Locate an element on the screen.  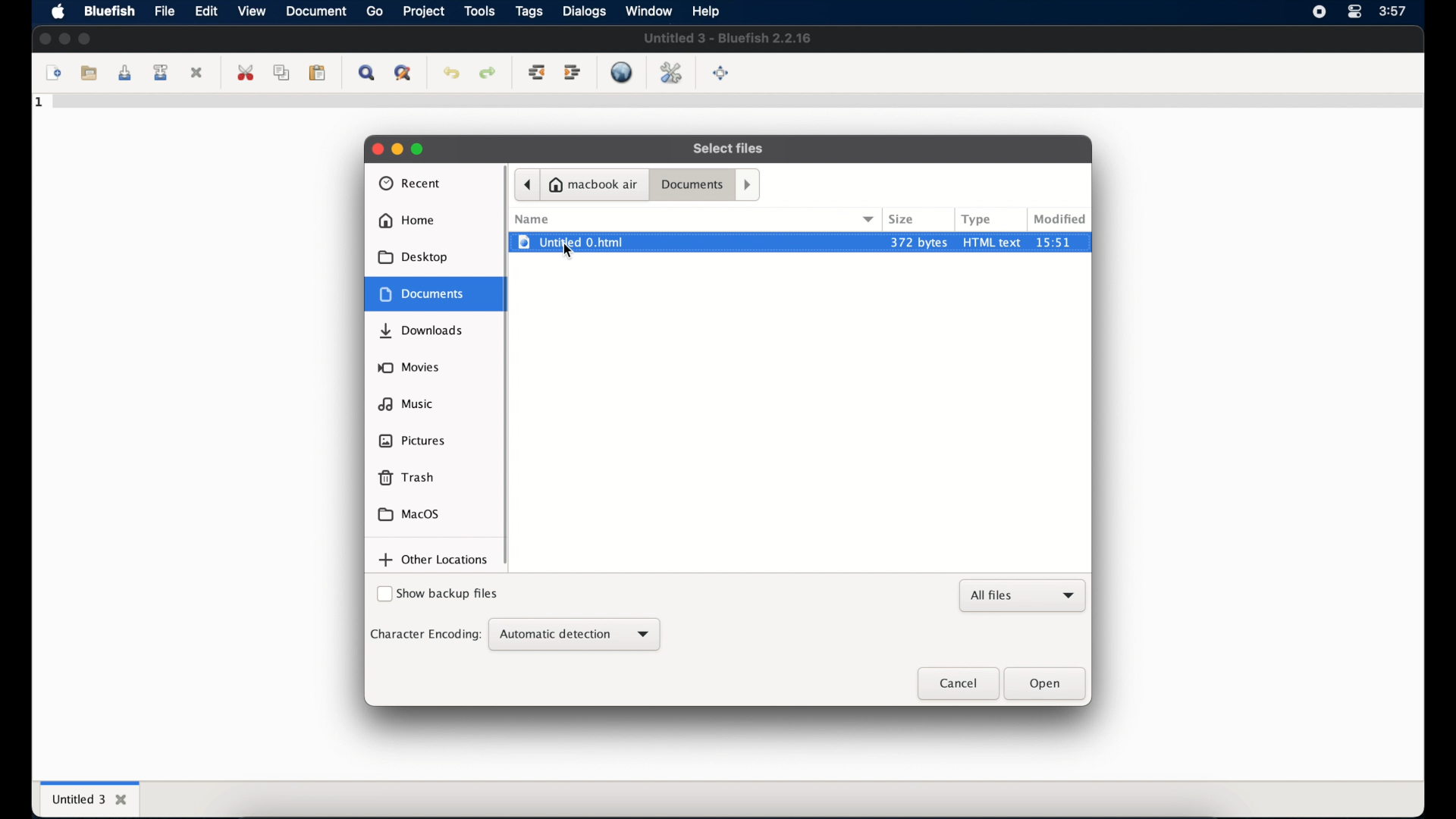
close is located at coordinates (375, 148).